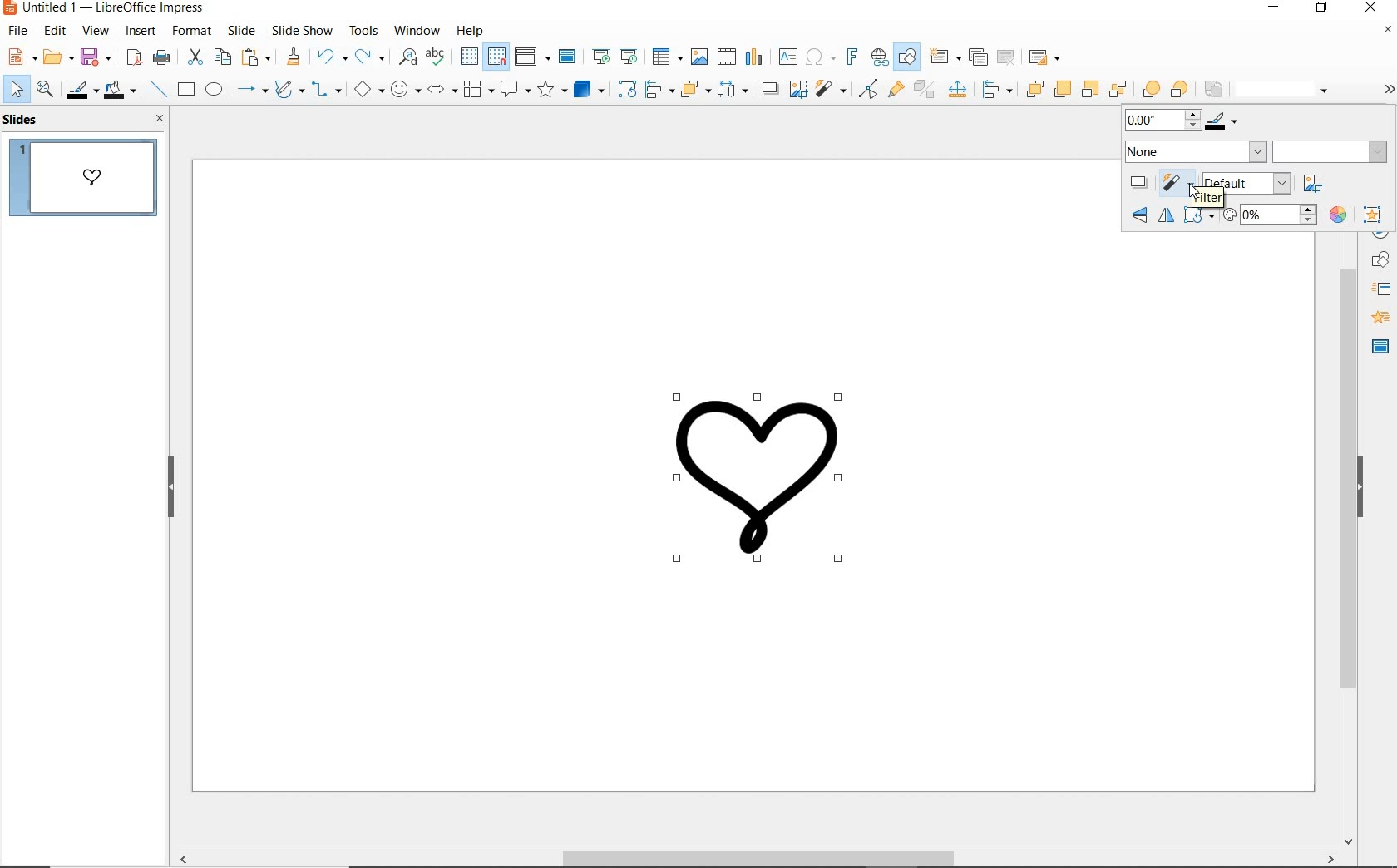  I want to click on STYLES, so click(1381, 287).